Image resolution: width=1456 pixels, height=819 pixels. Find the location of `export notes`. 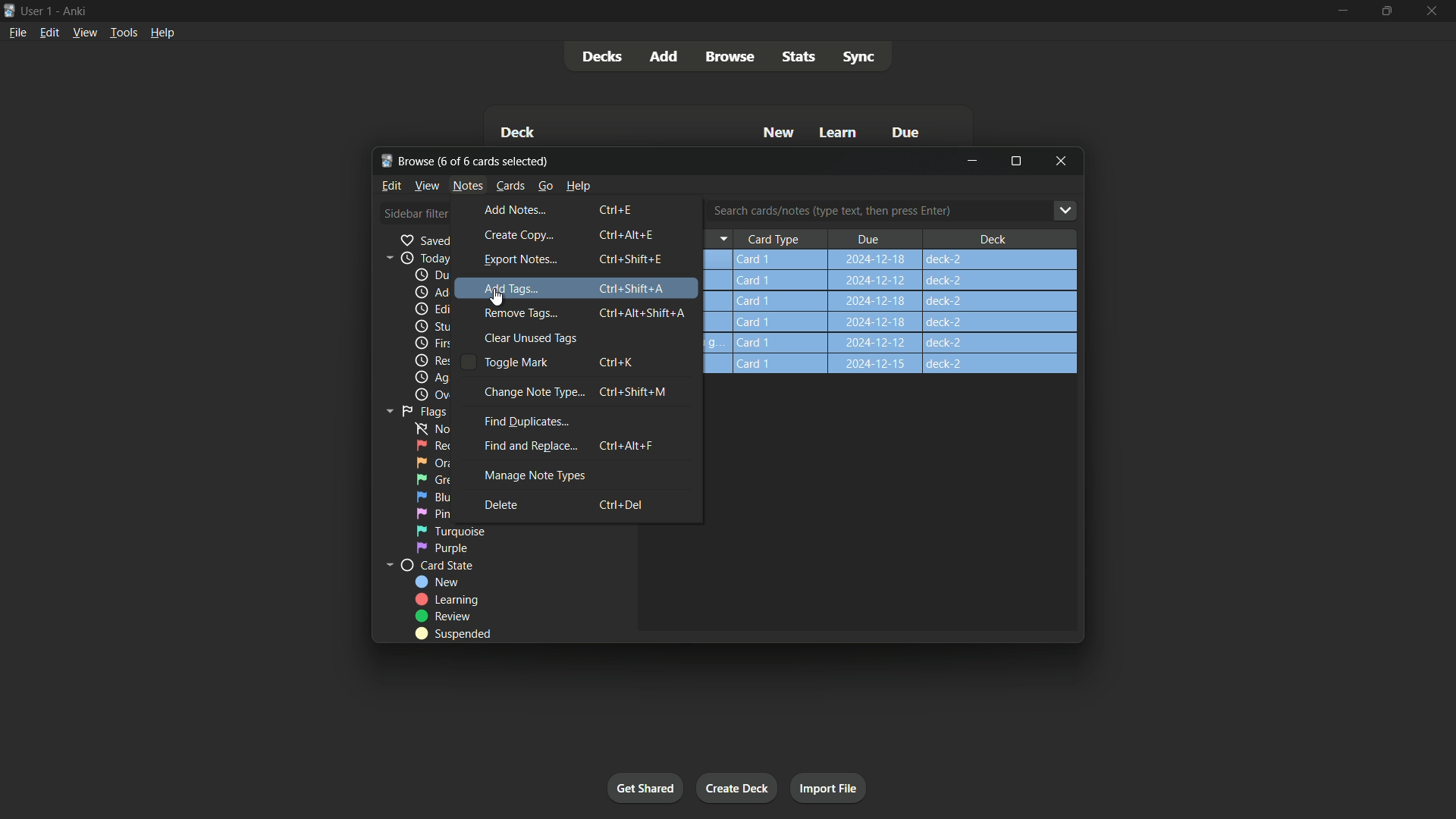

export notes is located at coordinates (523, 259).